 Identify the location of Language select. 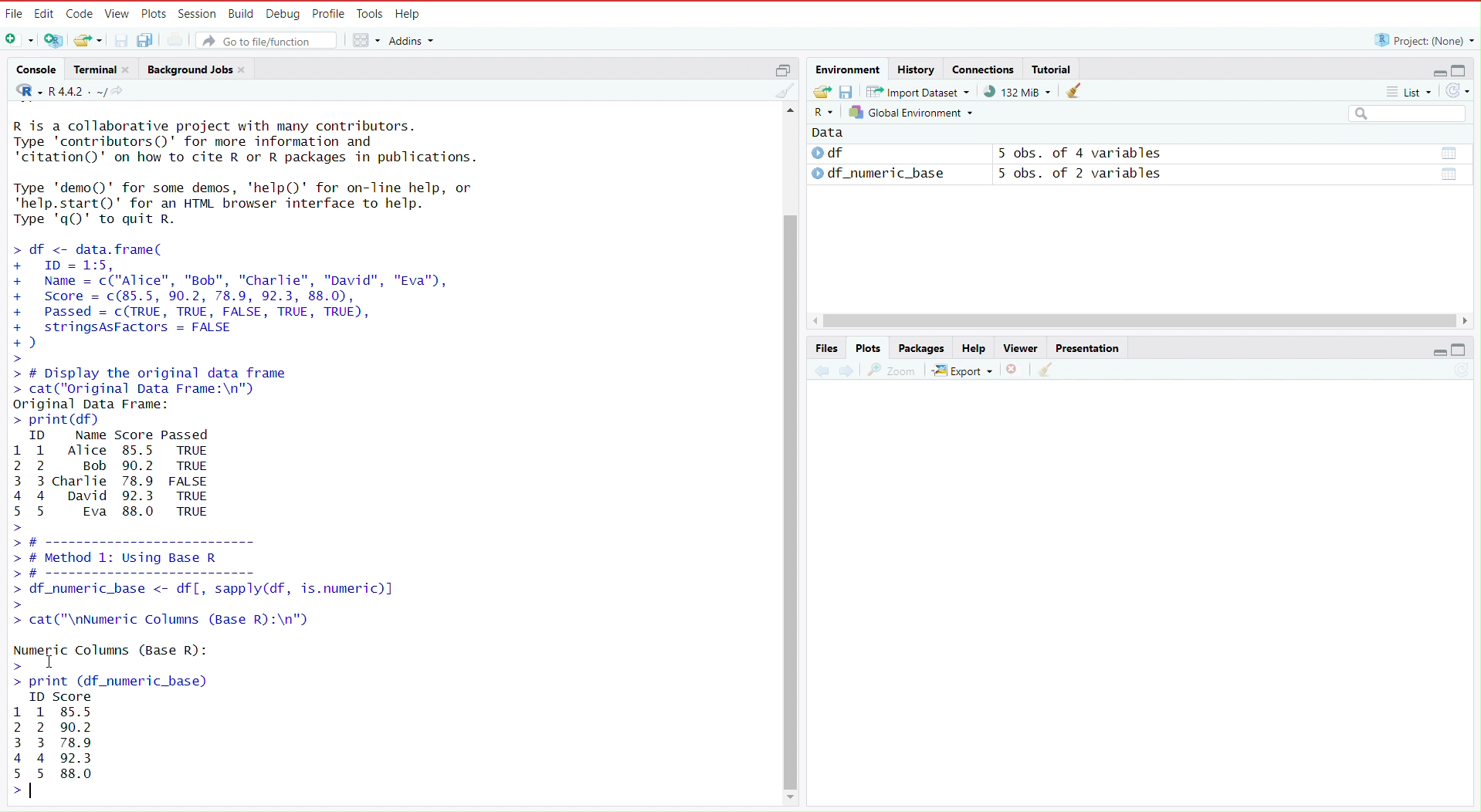
(822, 112).